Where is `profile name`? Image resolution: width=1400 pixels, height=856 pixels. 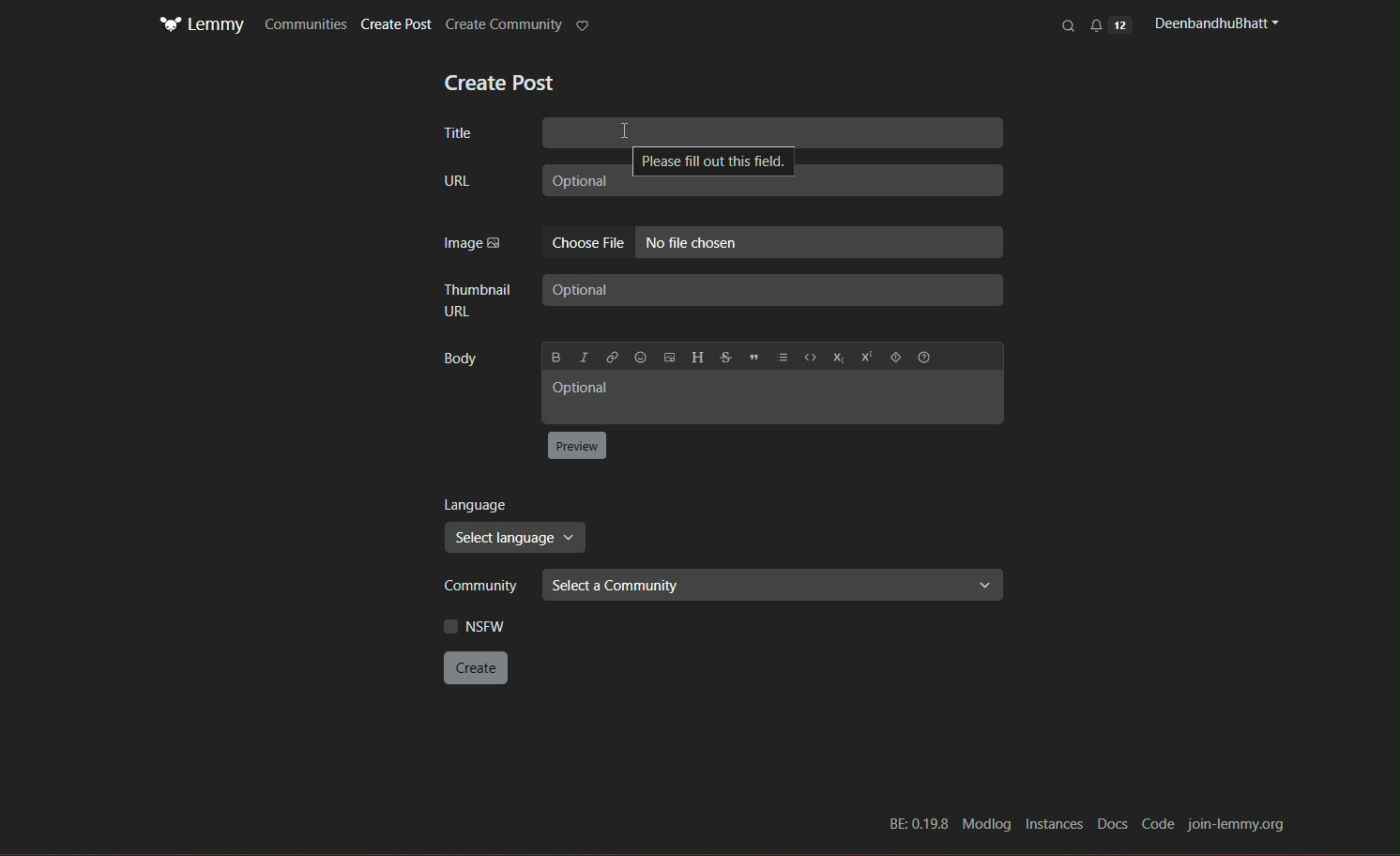 profile name is located at coordinates (1213, 23).